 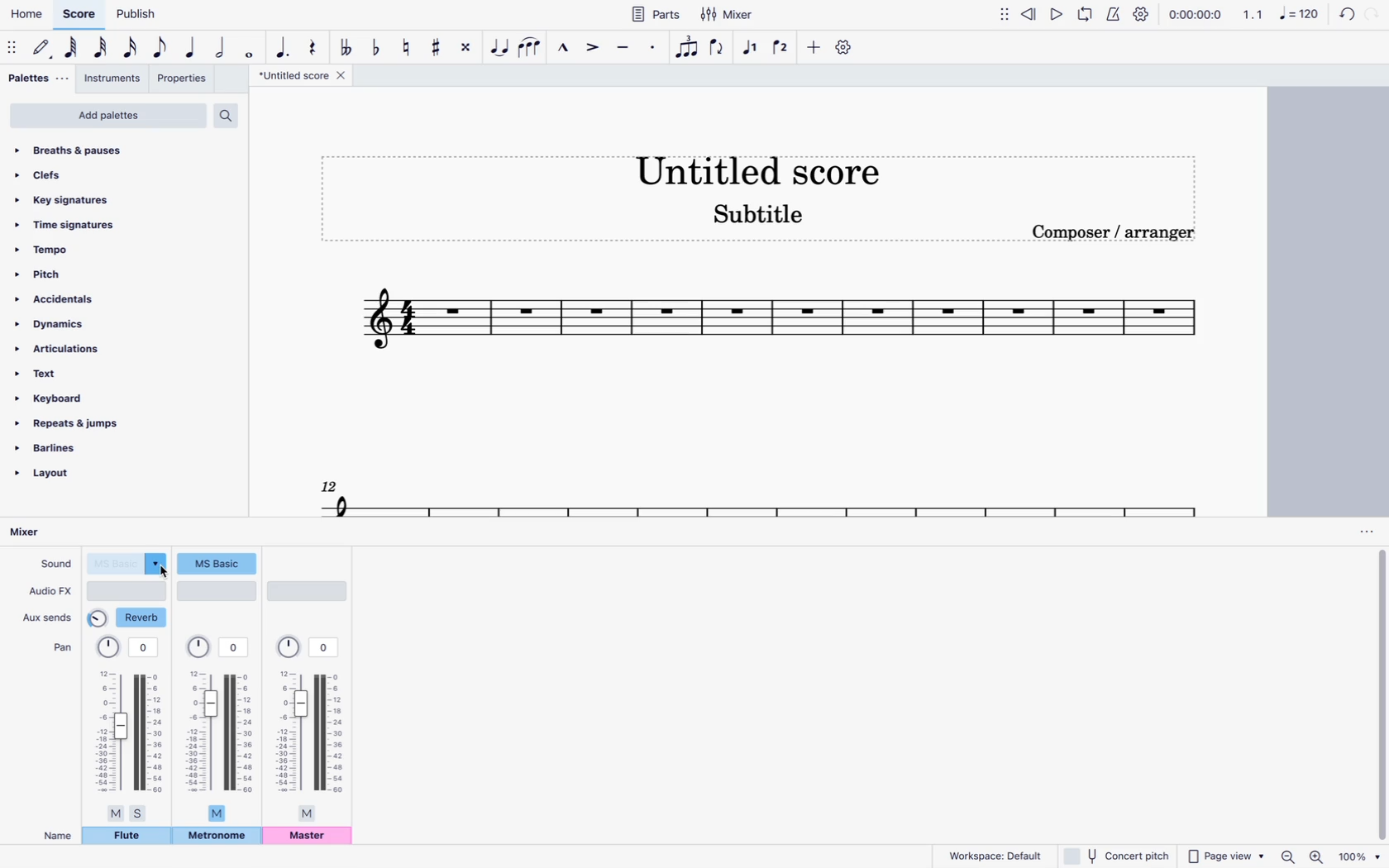 I want to click on toggle natural, so click(x=404, y=46).